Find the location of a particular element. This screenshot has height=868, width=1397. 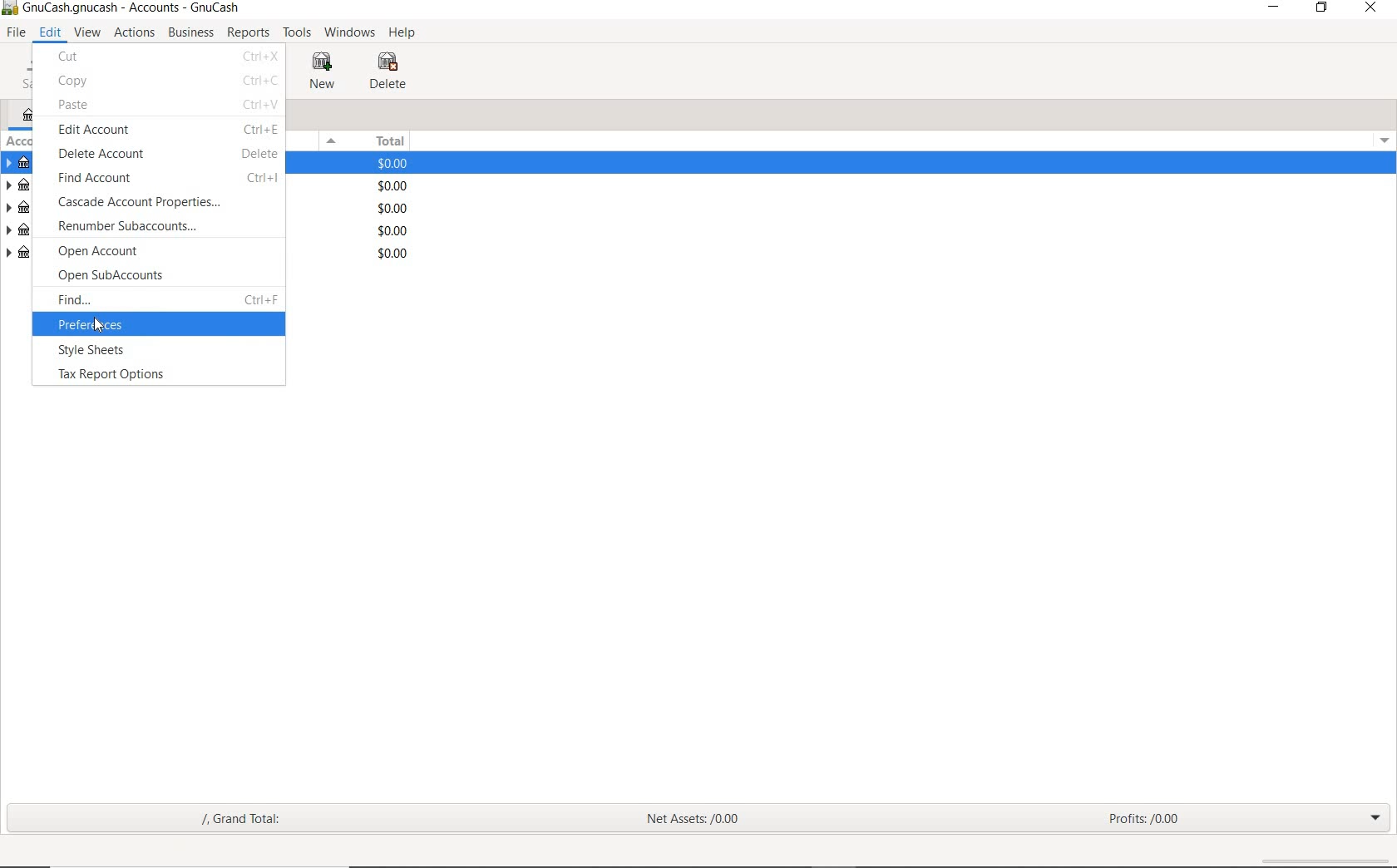

grand total is located at coordinates (253, 821).